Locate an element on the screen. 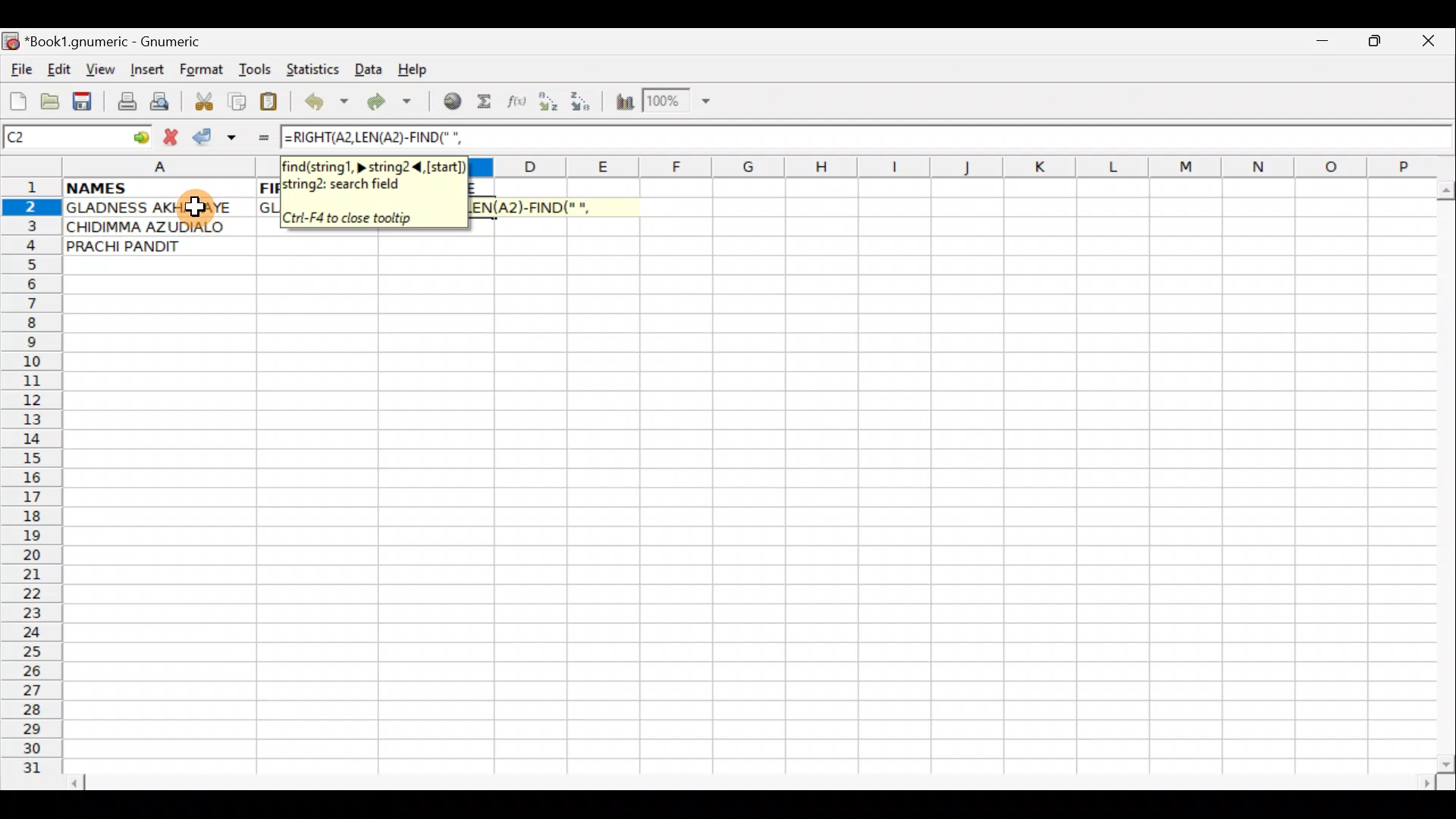 Image resolution: width=1456 pixels, height=819 pixels. Maximize is located at coordinates (1377, 44).